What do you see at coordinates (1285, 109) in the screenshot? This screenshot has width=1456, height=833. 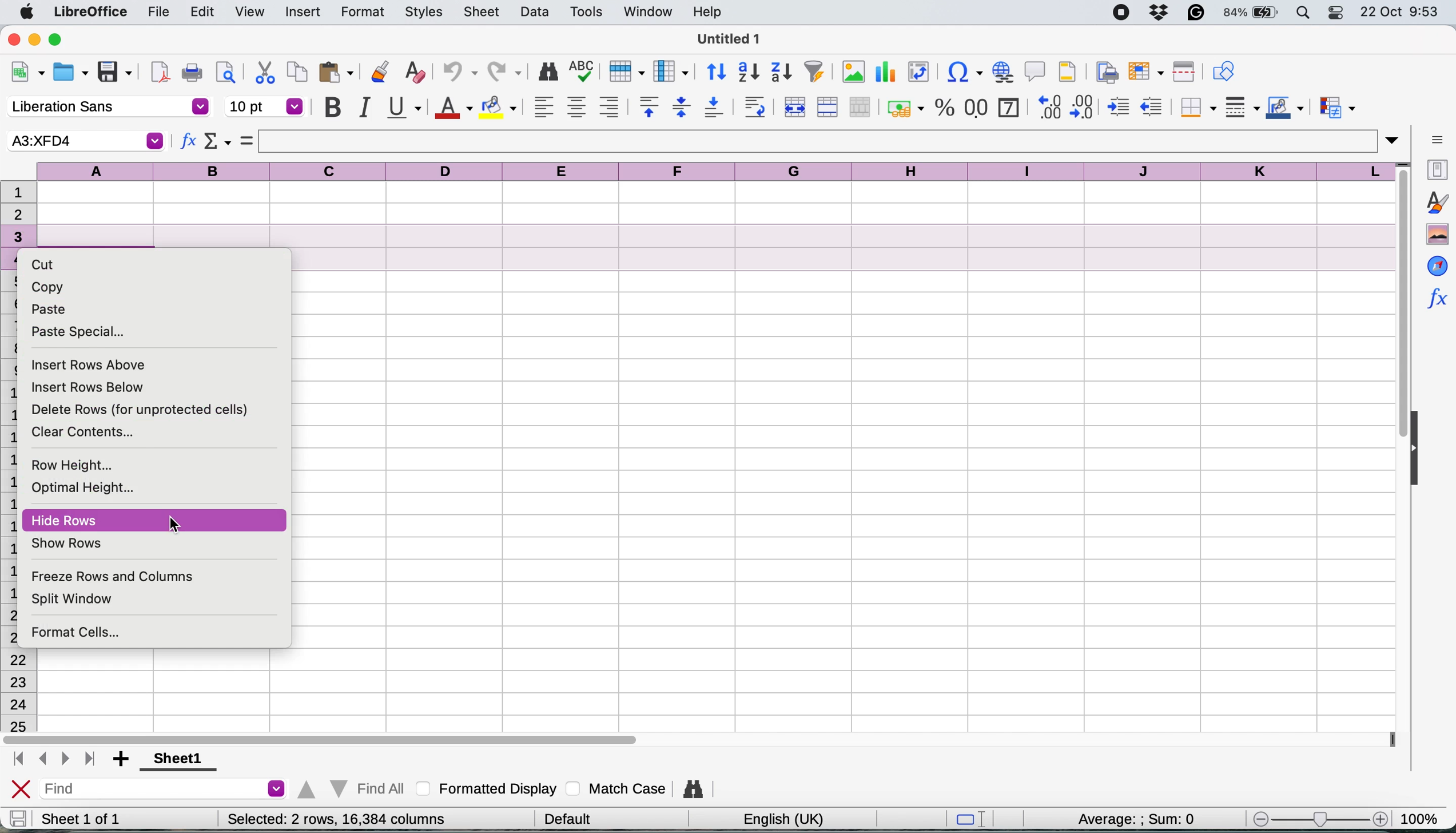 I see `border color` at bounding box center [1285, 109].